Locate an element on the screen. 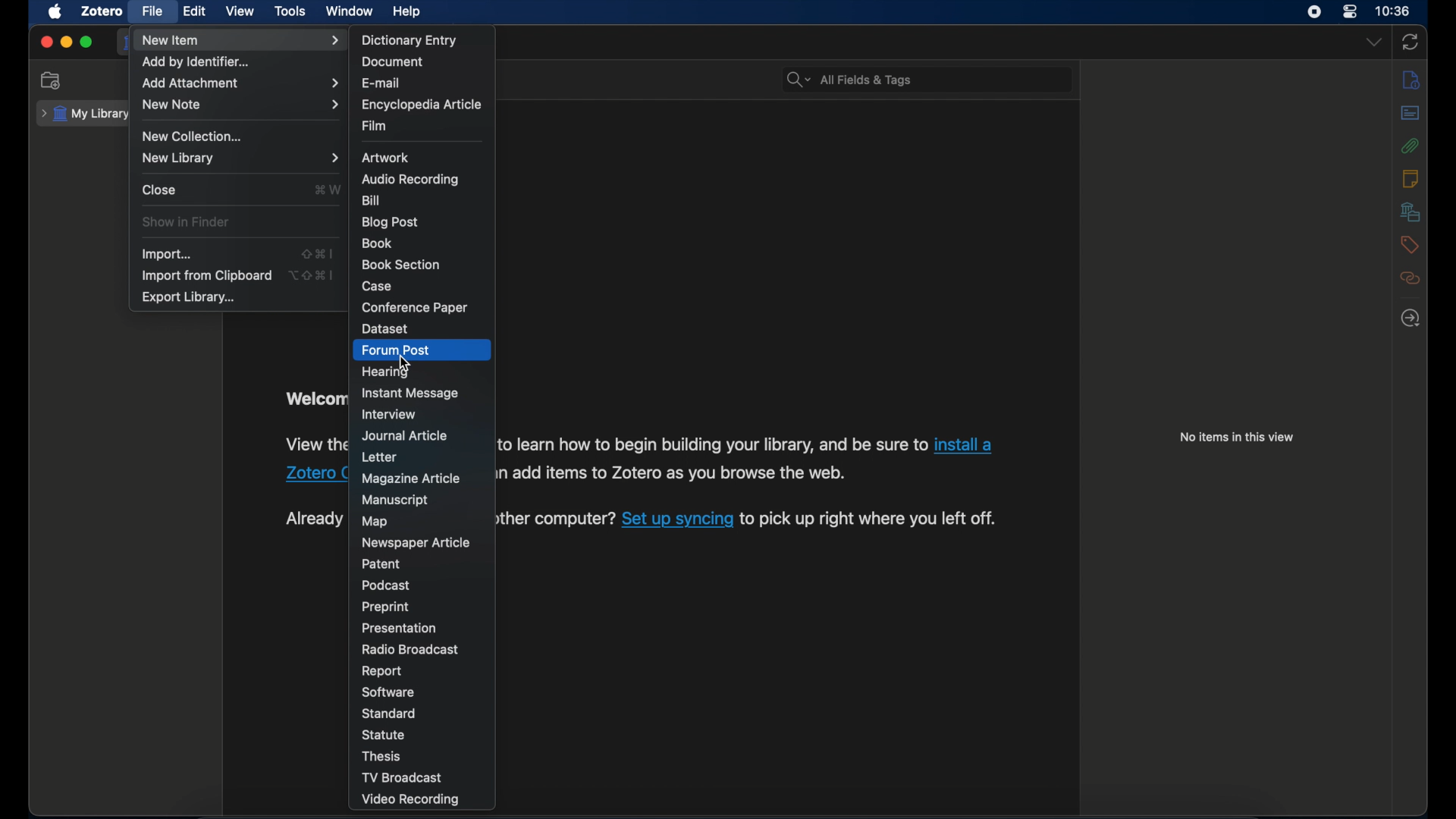  conference paper is located at coordinates (414, 307).